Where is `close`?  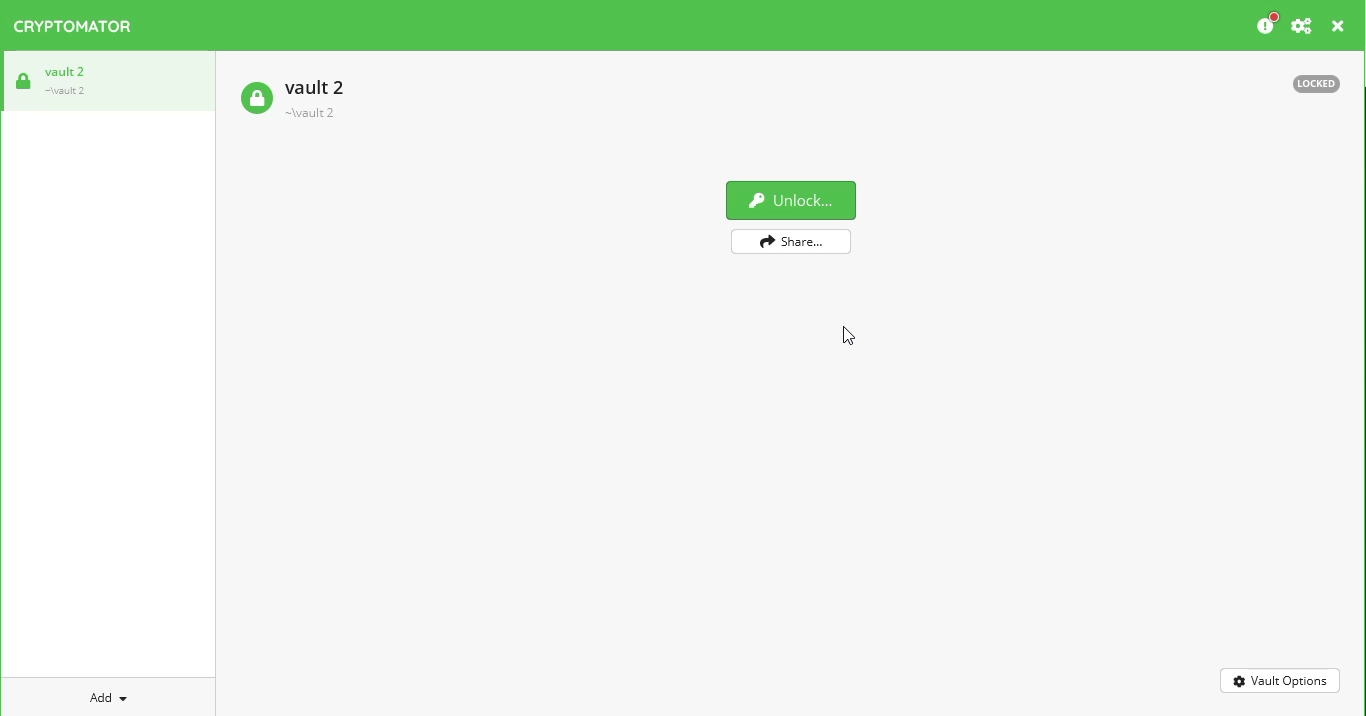 close is located at coordinates (1340, 27).